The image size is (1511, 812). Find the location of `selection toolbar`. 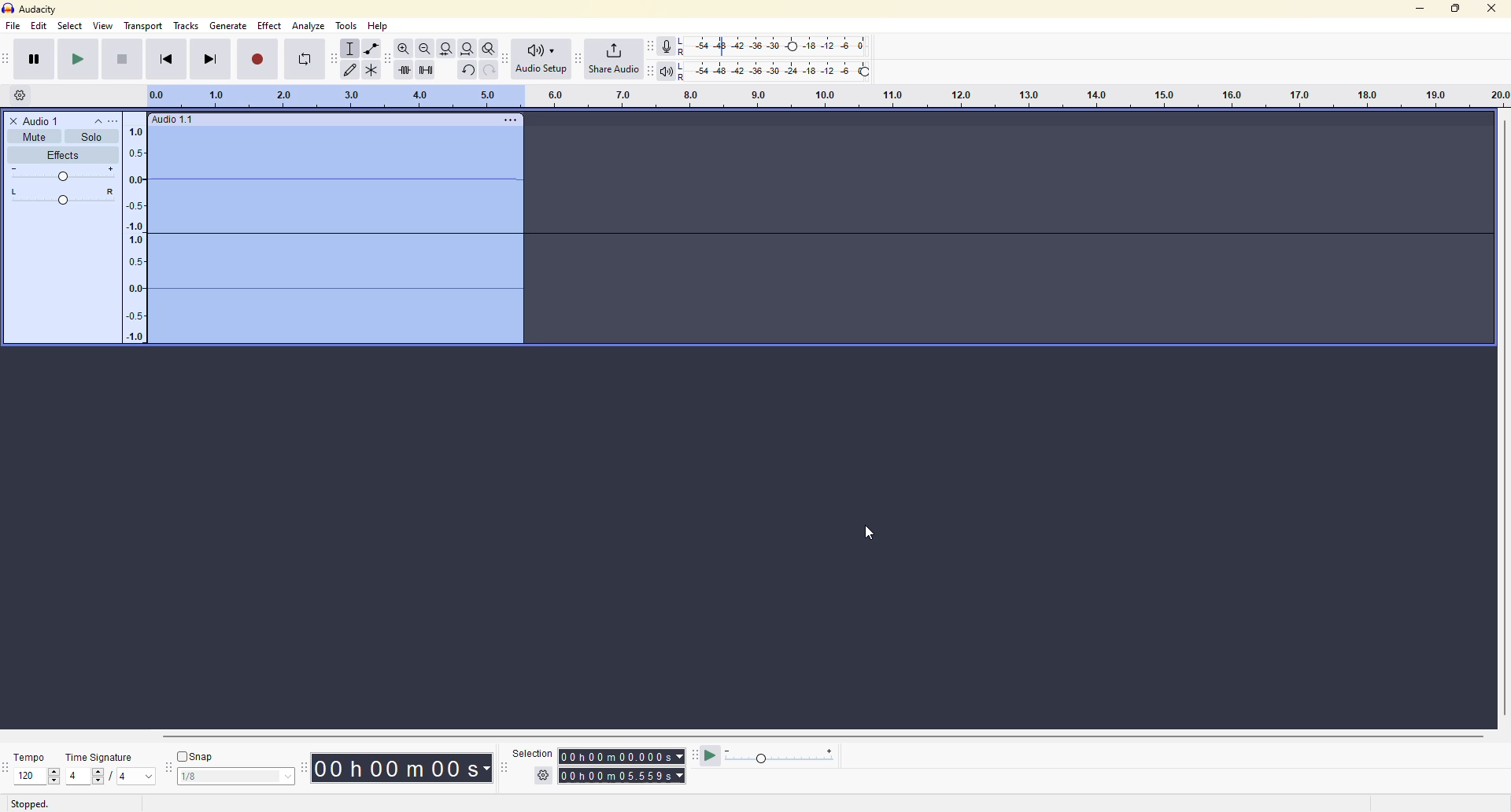

selection toolbar is located at coordinates (501, 768).